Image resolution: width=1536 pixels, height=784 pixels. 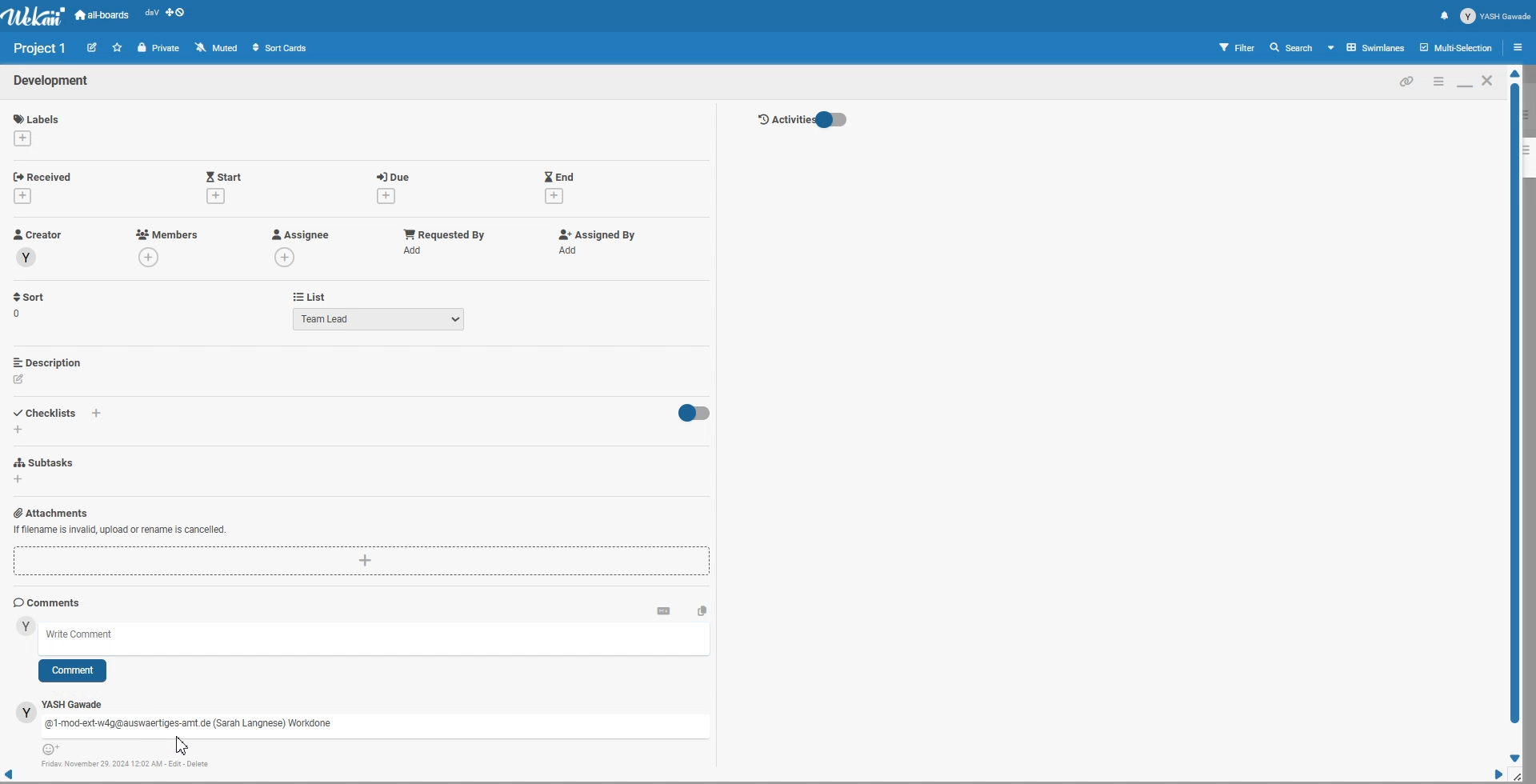 What do you see at coordinates (362, 562) in the screenshot?
I see `Add Attachments` at bounding box center [362, 562].